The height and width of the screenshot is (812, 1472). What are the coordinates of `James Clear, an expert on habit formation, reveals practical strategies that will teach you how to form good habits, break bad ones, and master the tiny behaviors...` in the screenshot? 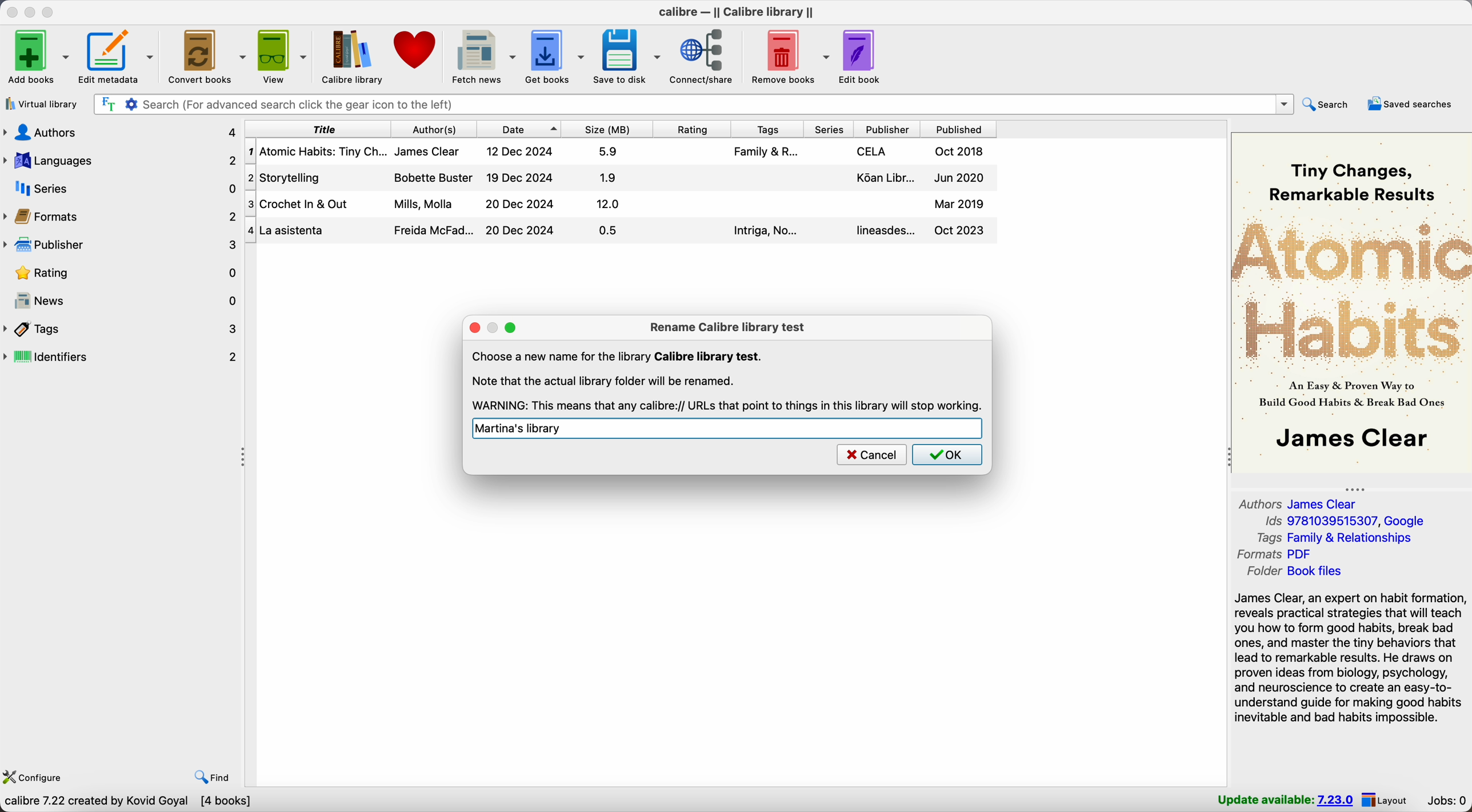 It's located at (1351, 658).